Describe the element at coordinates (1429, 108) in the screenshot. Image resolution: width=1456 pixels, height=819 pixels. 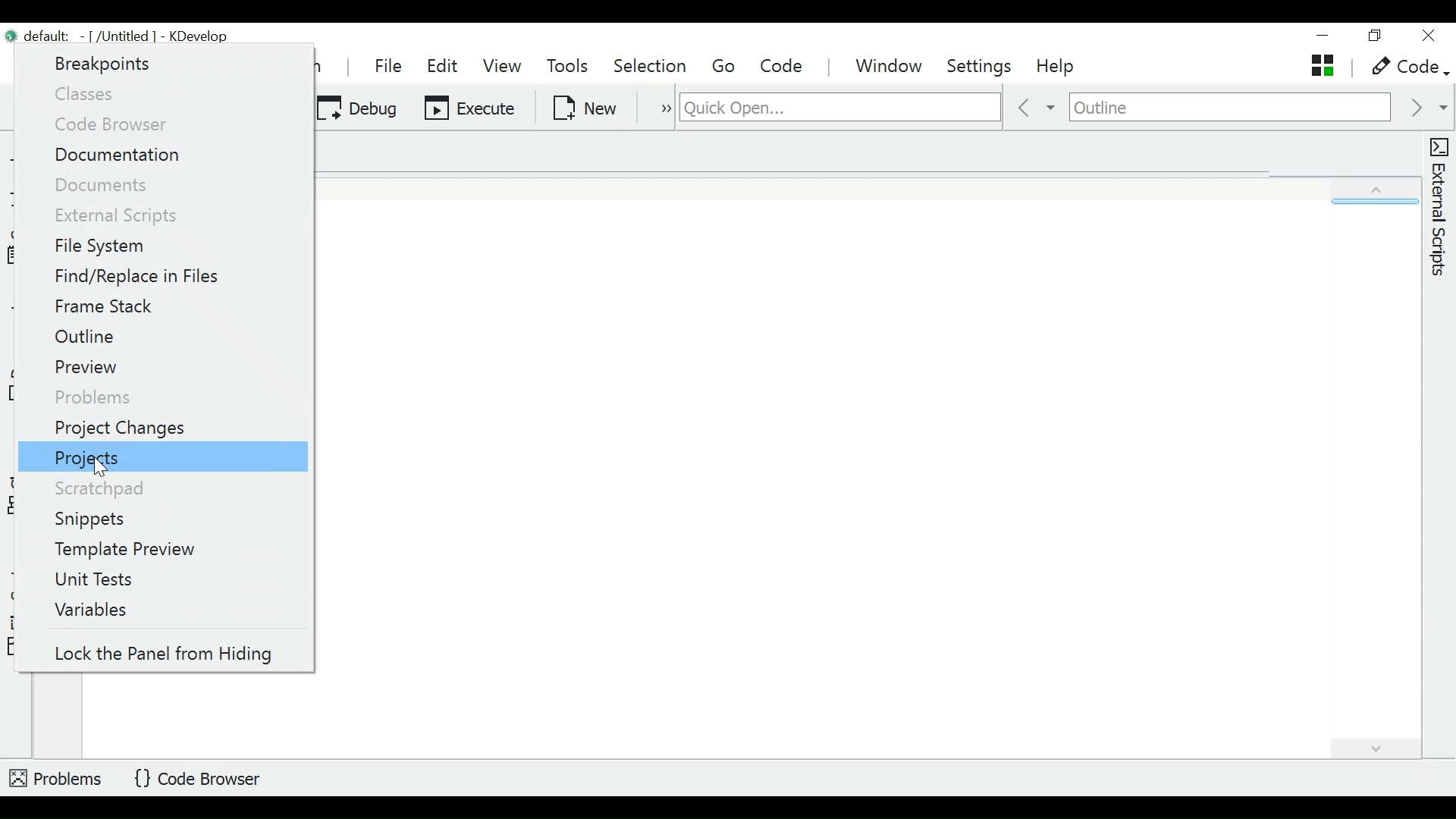
I see `next` at that location.